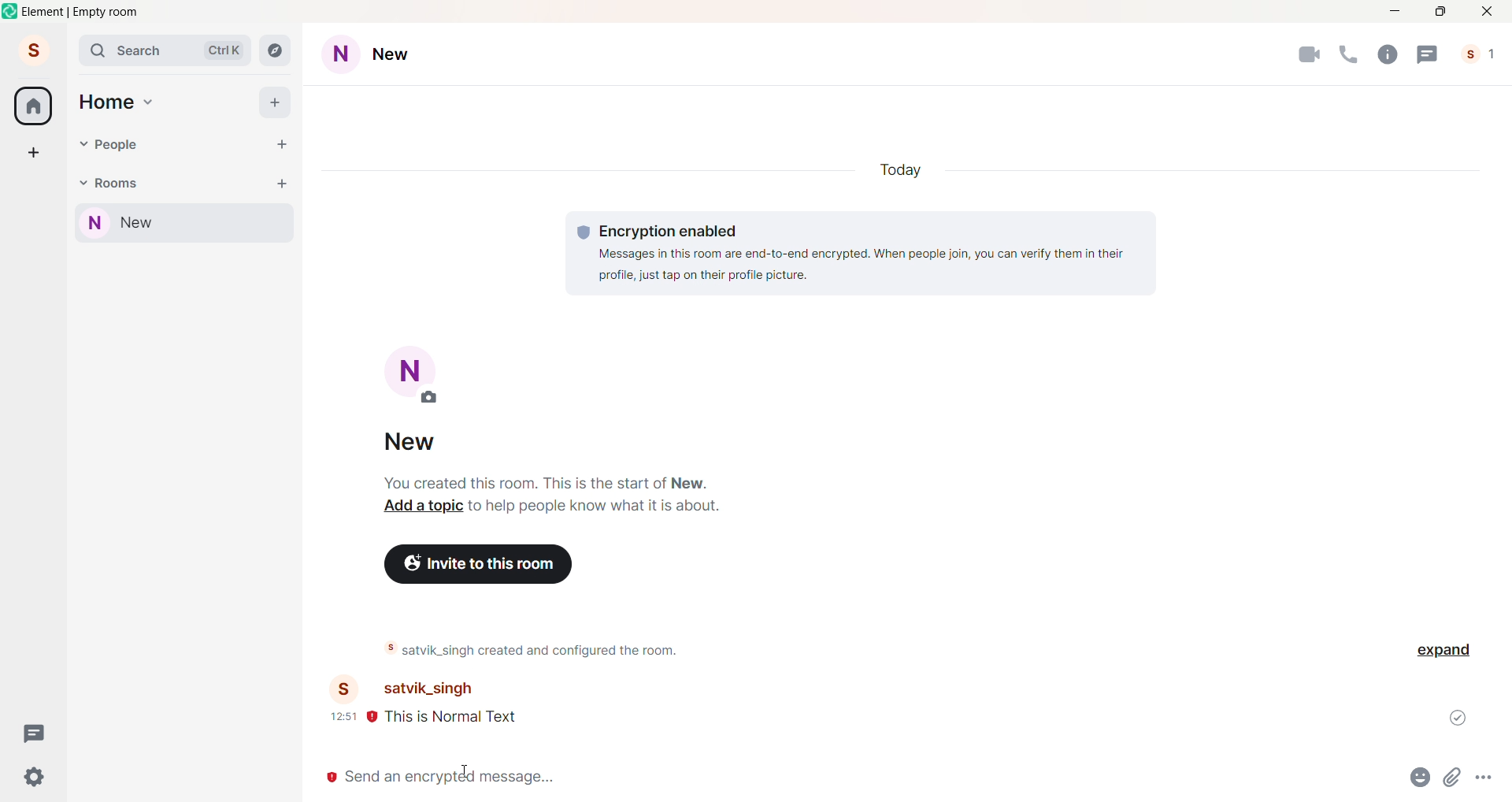 The width and height of the screenshot is (1512, 802). What do you see at coordinates (150, 100) in the screenshot?
I see `Home drop down` at bounding box center [150, 100].